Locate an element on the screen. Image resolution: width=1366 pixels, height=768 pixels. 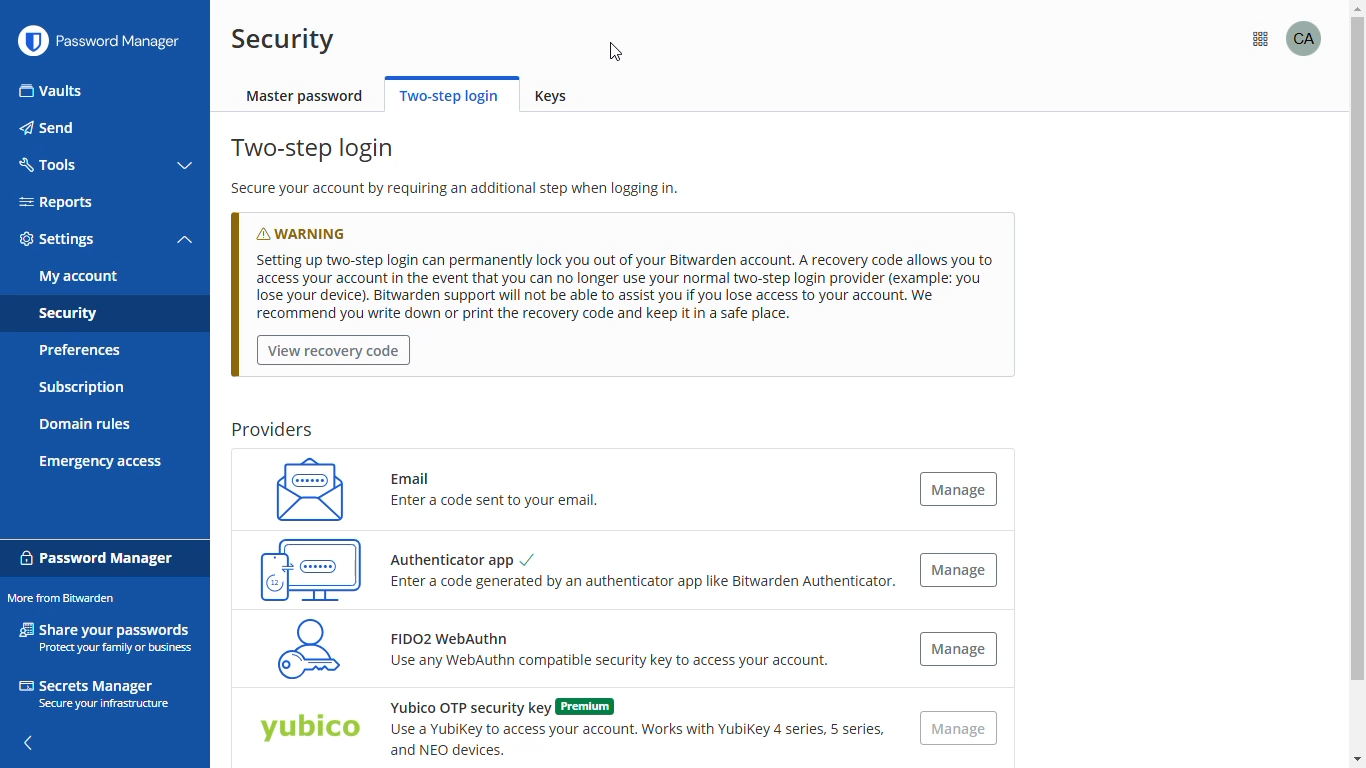
Authenticator app is located at coordinates (458, 557).